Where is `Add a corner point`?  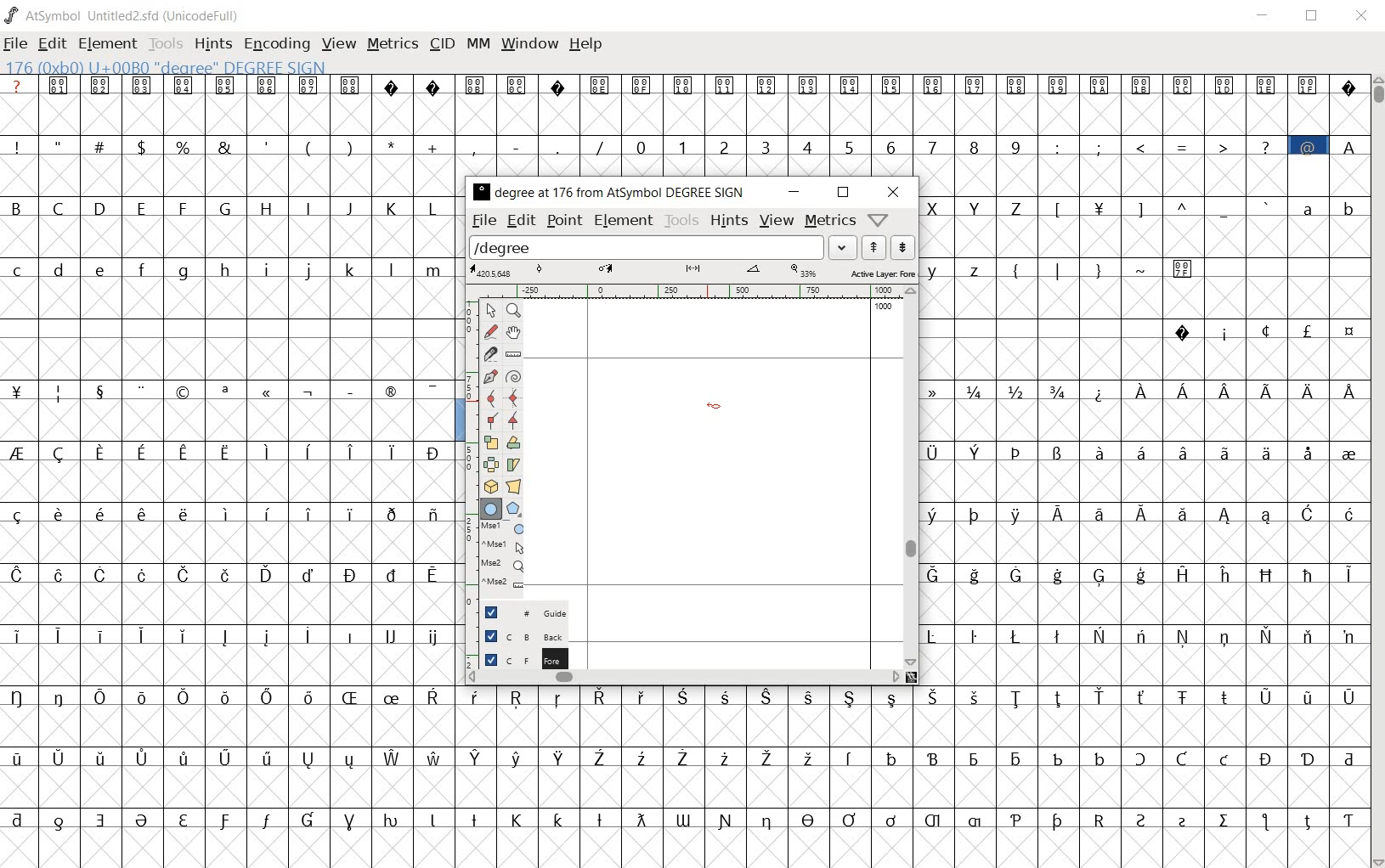
Add a corner point is located at coordinates (512, 420).